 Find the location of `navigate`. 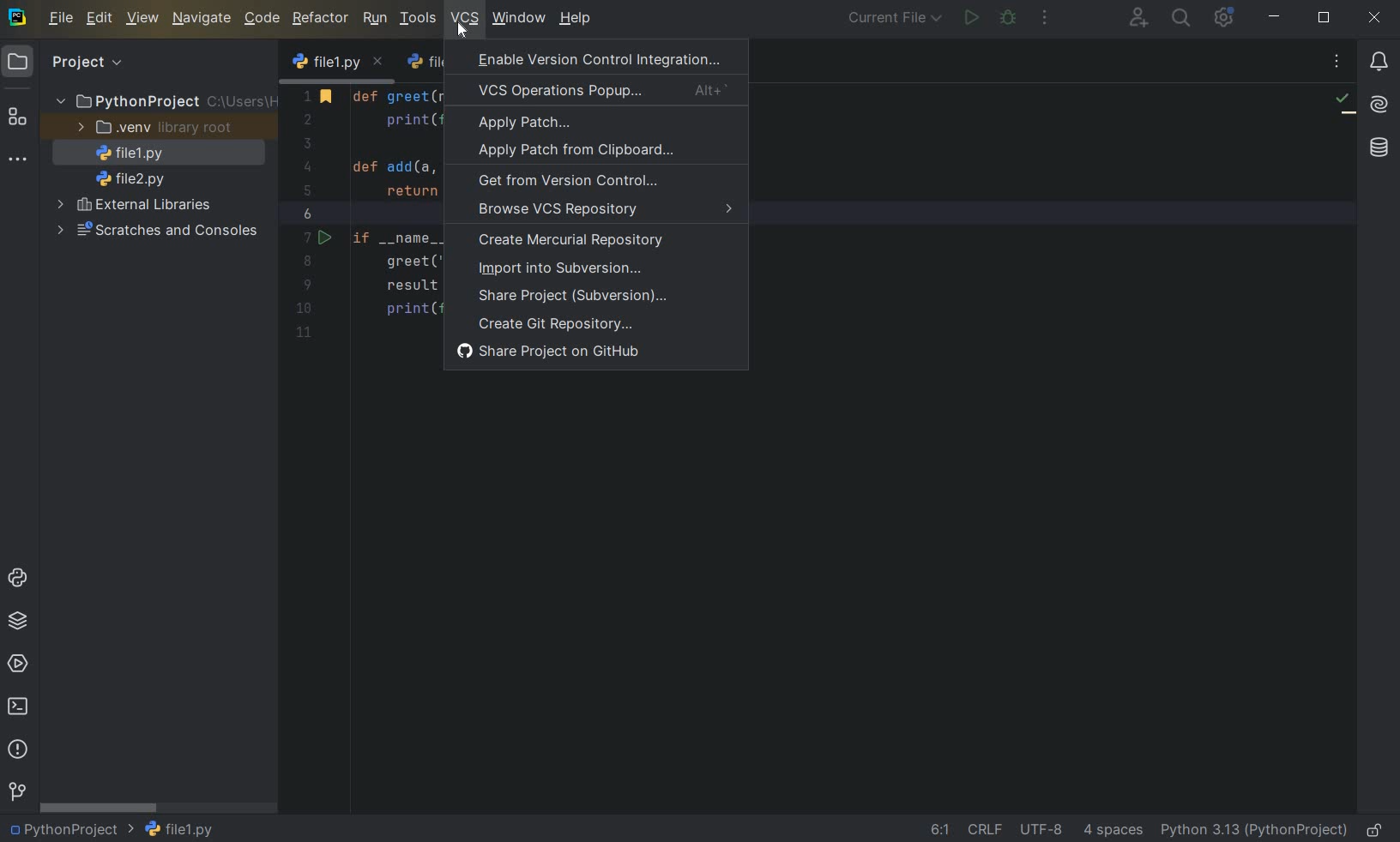

navigate is located at coordinates (202, 20).